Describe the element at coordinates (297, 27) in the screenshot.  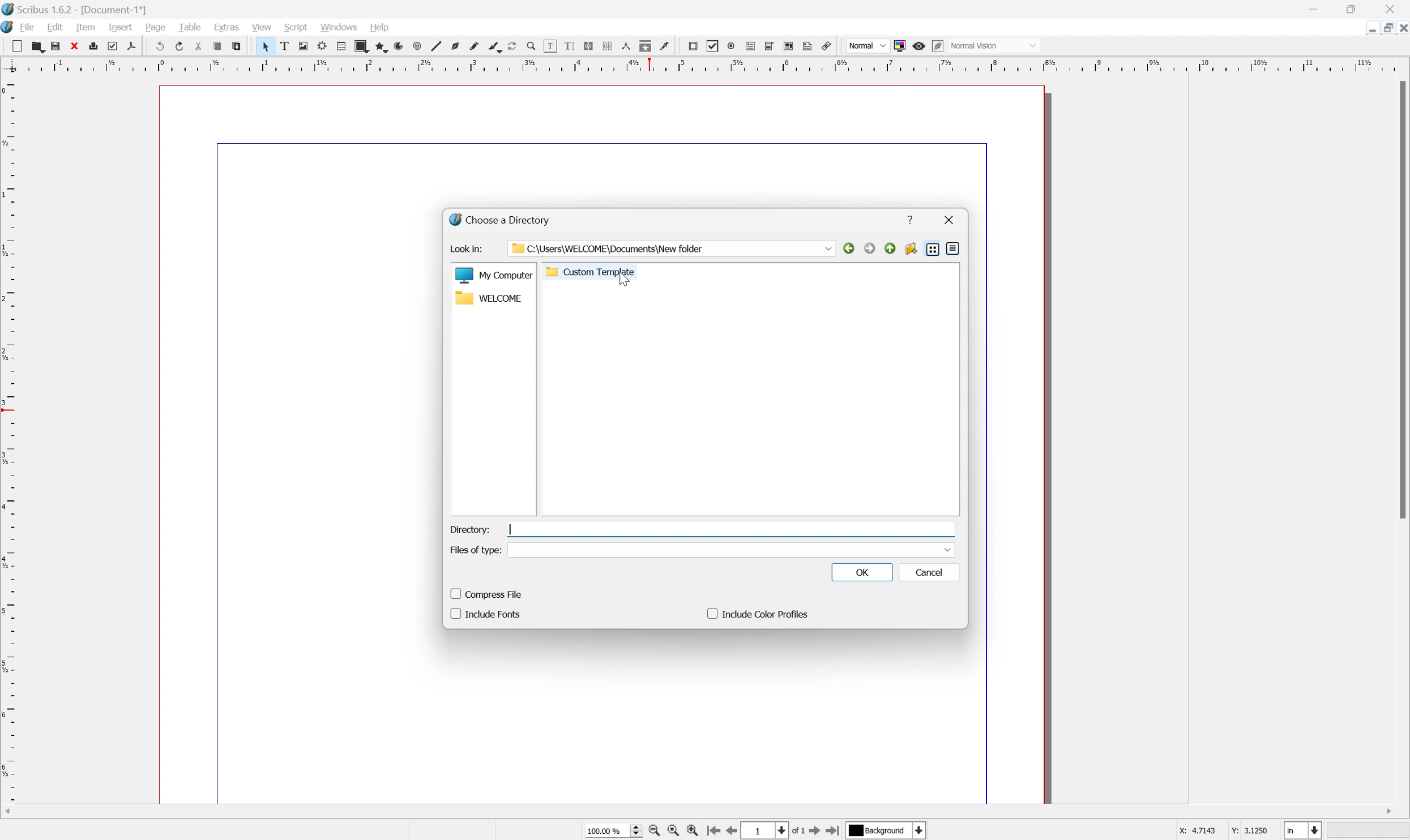
I see `script` at that location.